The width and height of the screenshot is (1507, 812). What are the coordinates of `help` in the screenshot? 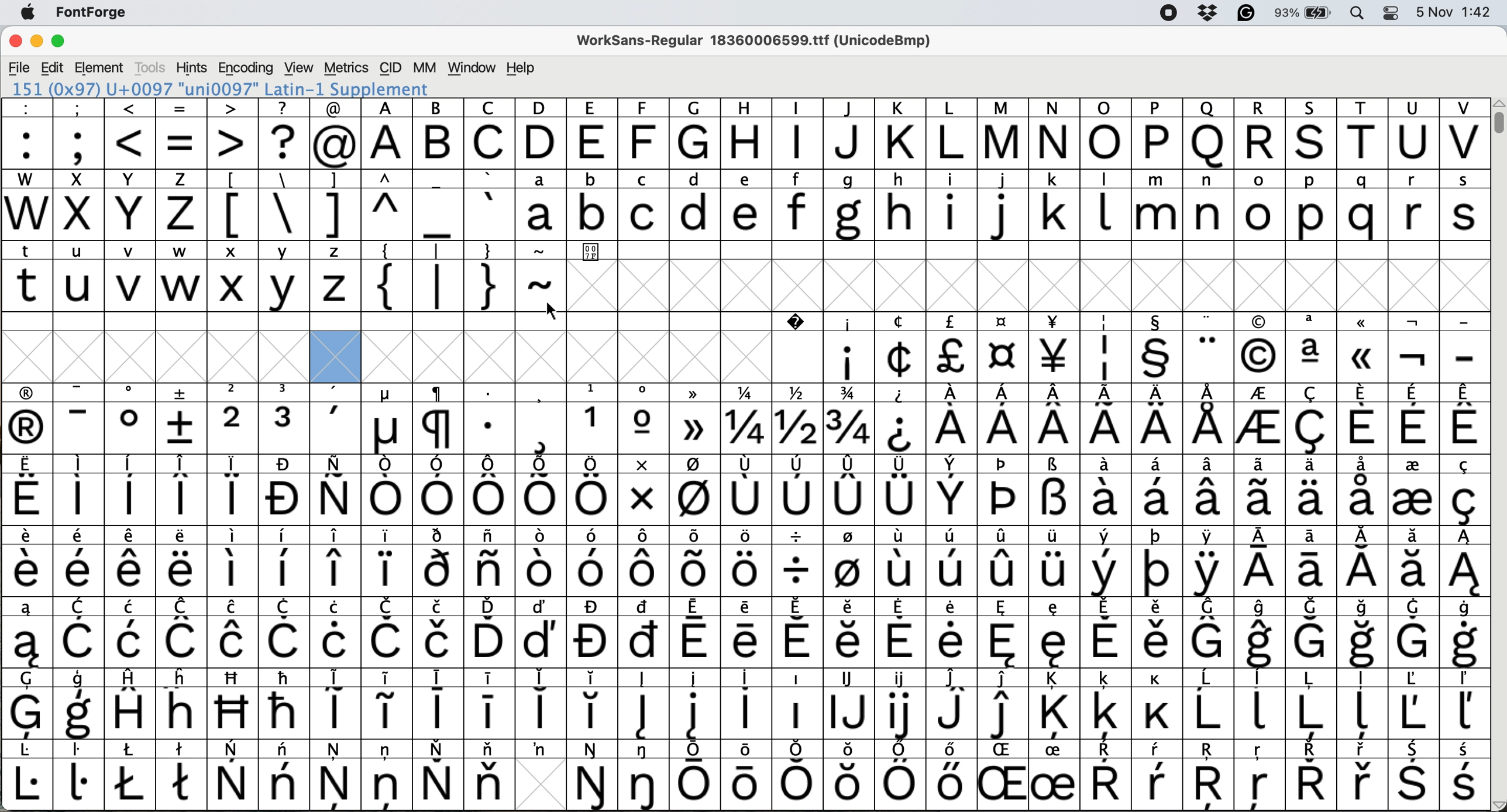 It's located at (522, 67).